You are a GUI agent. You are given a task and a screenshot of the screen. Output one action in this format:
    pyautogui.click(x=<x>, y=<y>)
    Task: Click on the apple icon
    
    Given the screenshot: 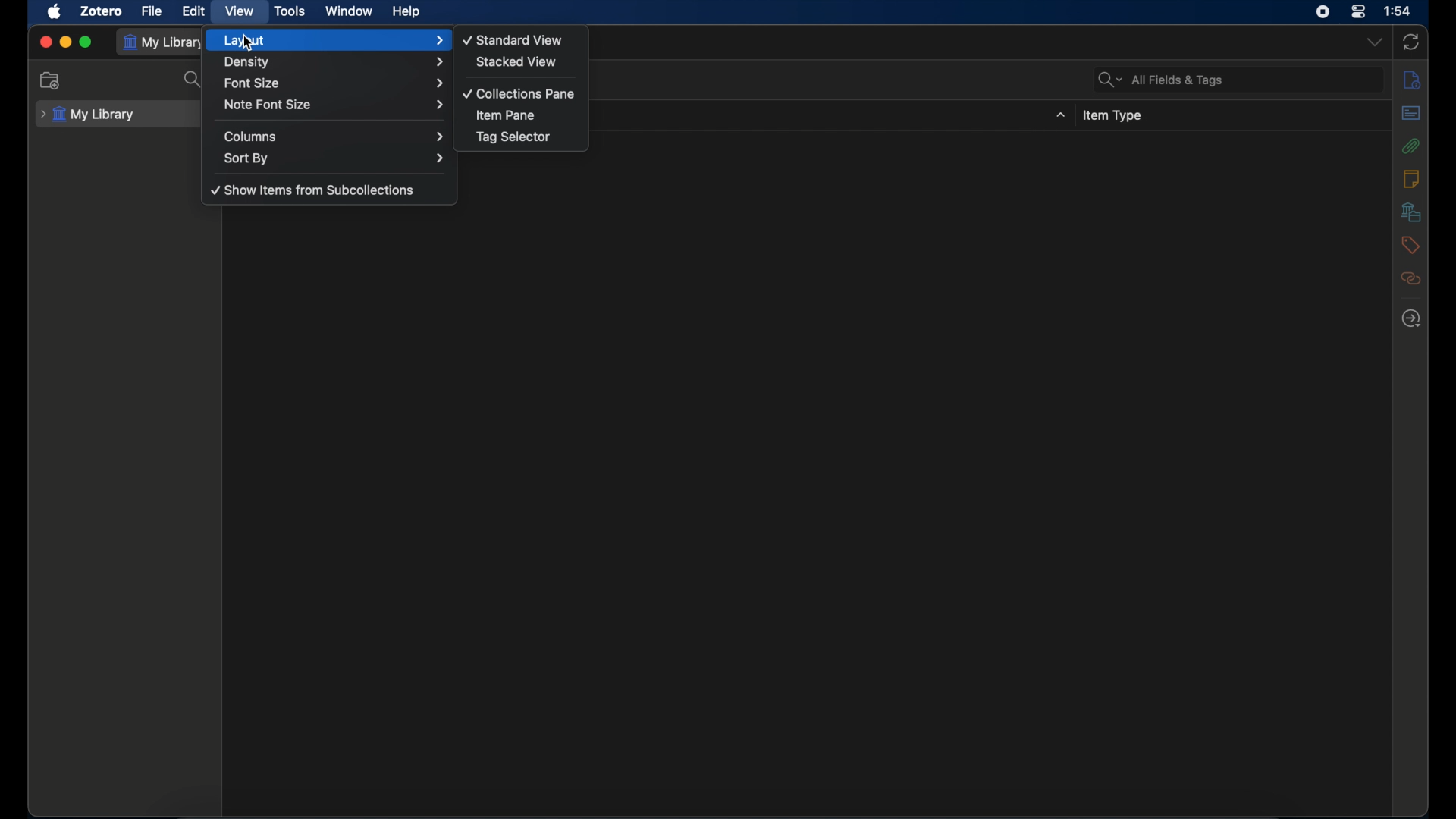 What is the action you would take?
    pyautogui.click(x=55, y=11)
    